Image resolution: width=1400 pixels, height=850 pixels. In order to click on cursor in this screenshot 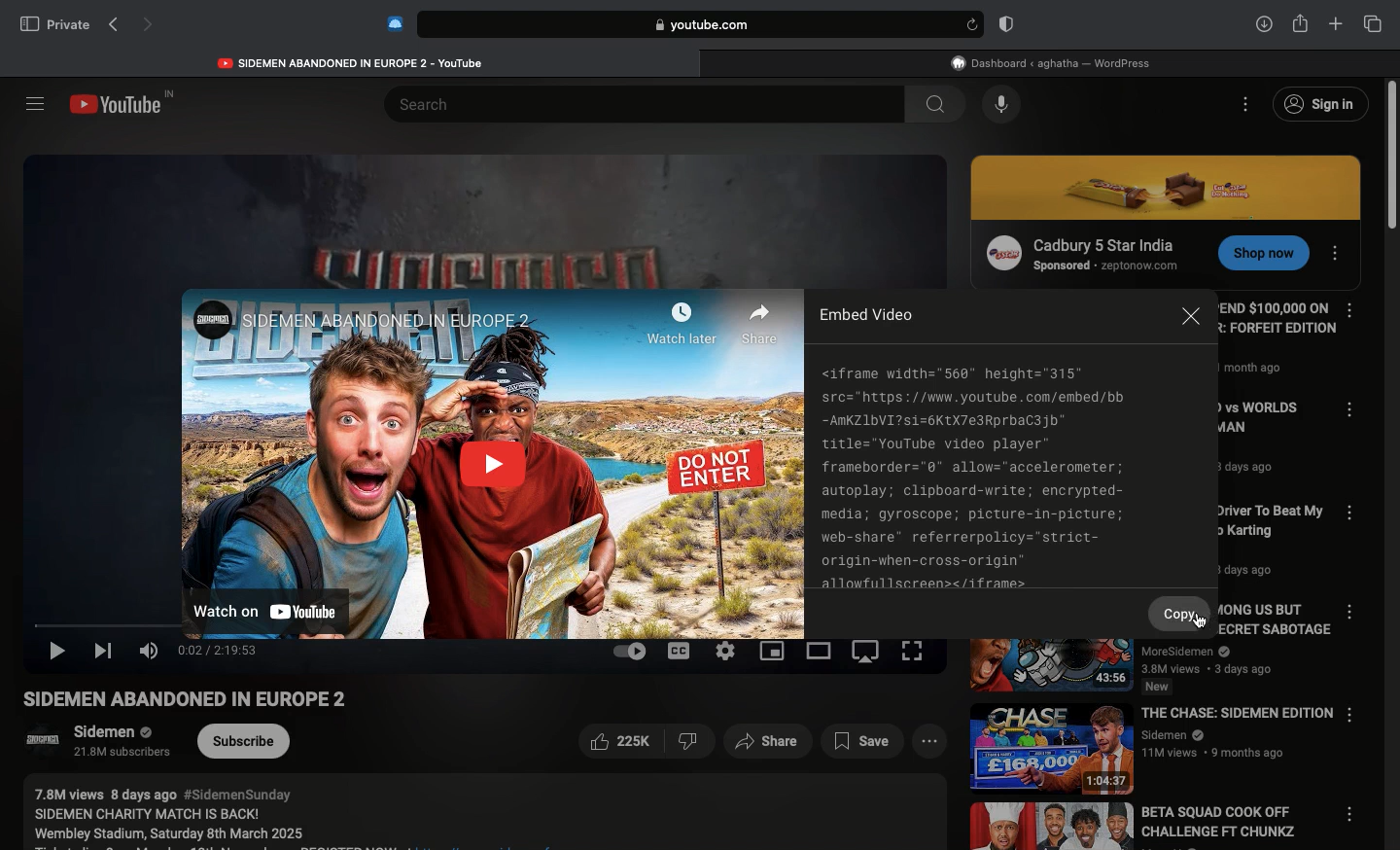, I will do `click(1200, 624)`.